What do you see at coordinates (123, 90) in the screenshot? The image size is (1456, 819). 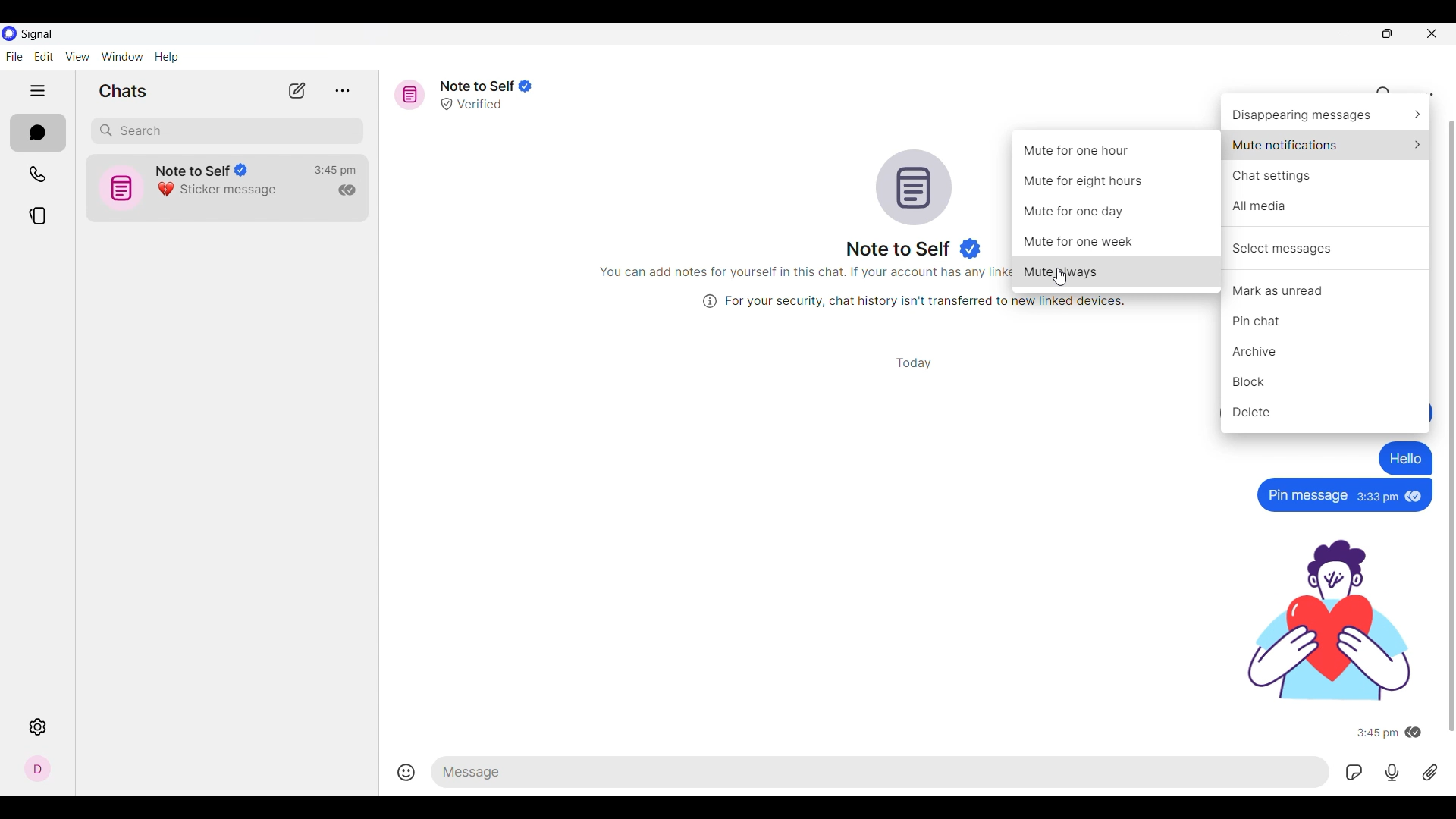 I see `Section title` at bounding box center [123, 90].